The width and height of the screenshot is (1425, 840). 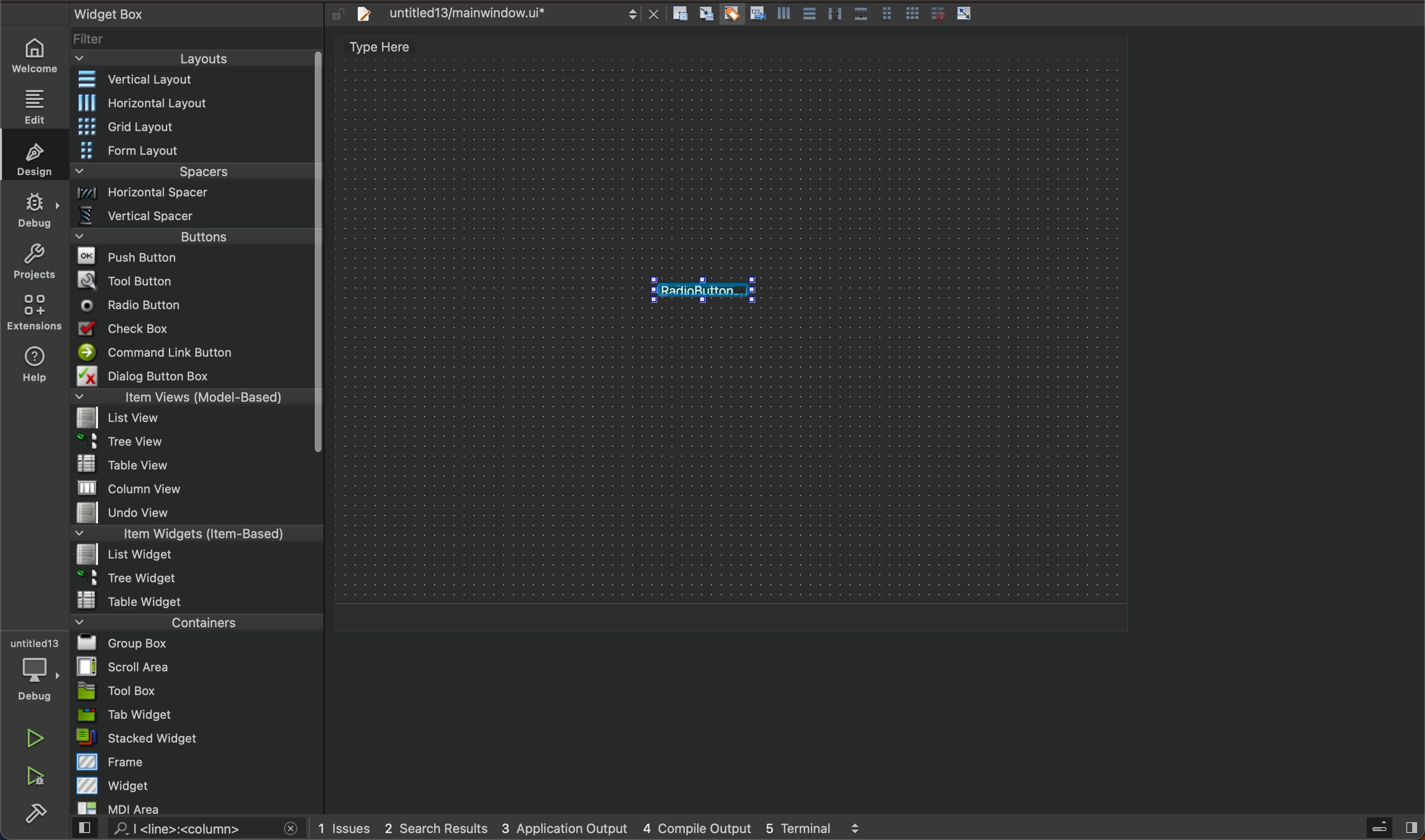 What do you see at coordinates (40, 102) in the screenshot?
I see `edit` at bounding box center [40, 102].